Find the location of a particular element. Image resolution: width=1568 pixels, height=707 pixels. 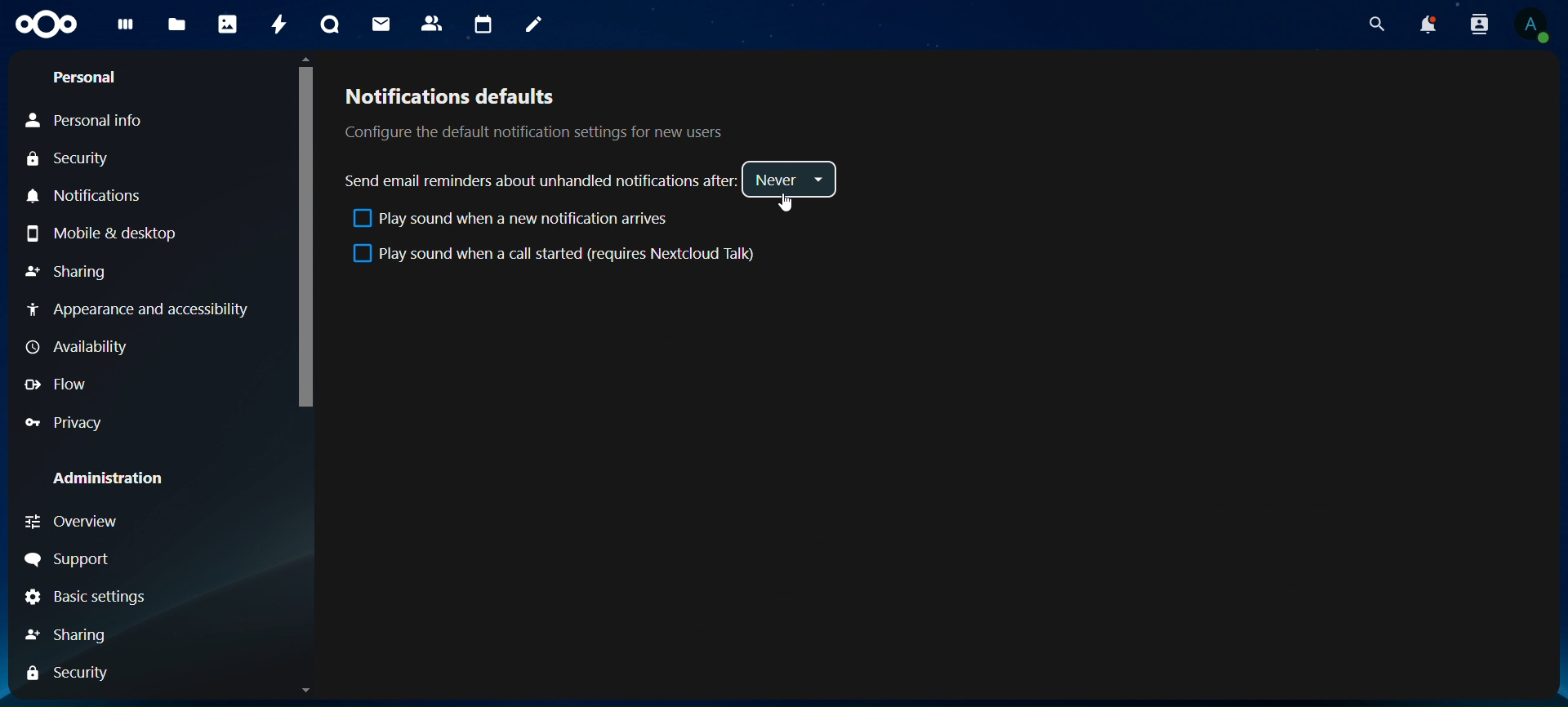

Mobile & desktop is located at coordinates (102, 233).